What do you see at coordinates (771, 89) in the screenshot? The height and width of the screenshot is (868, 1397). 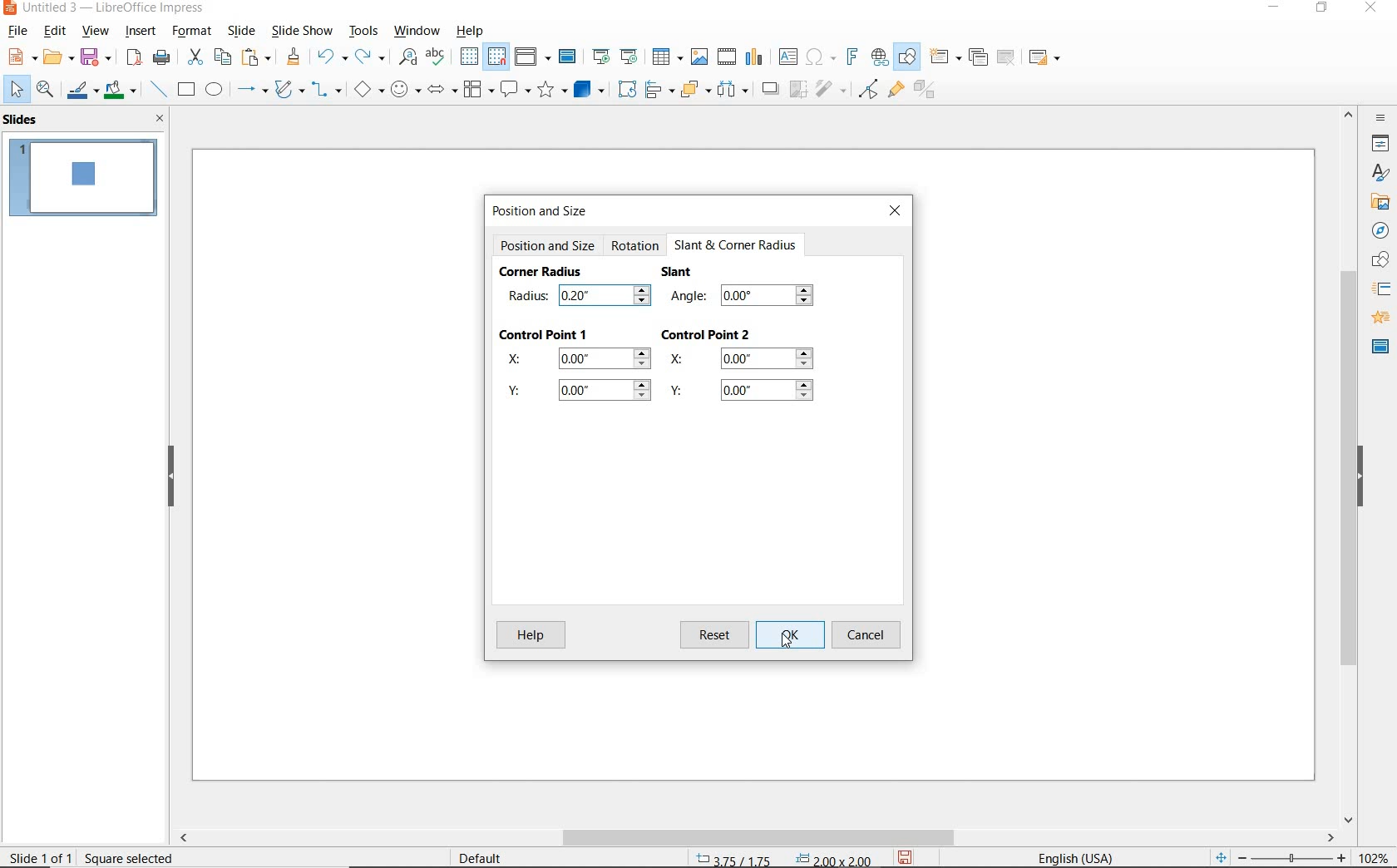 I see `shadow` at bounding box center [771, 89].